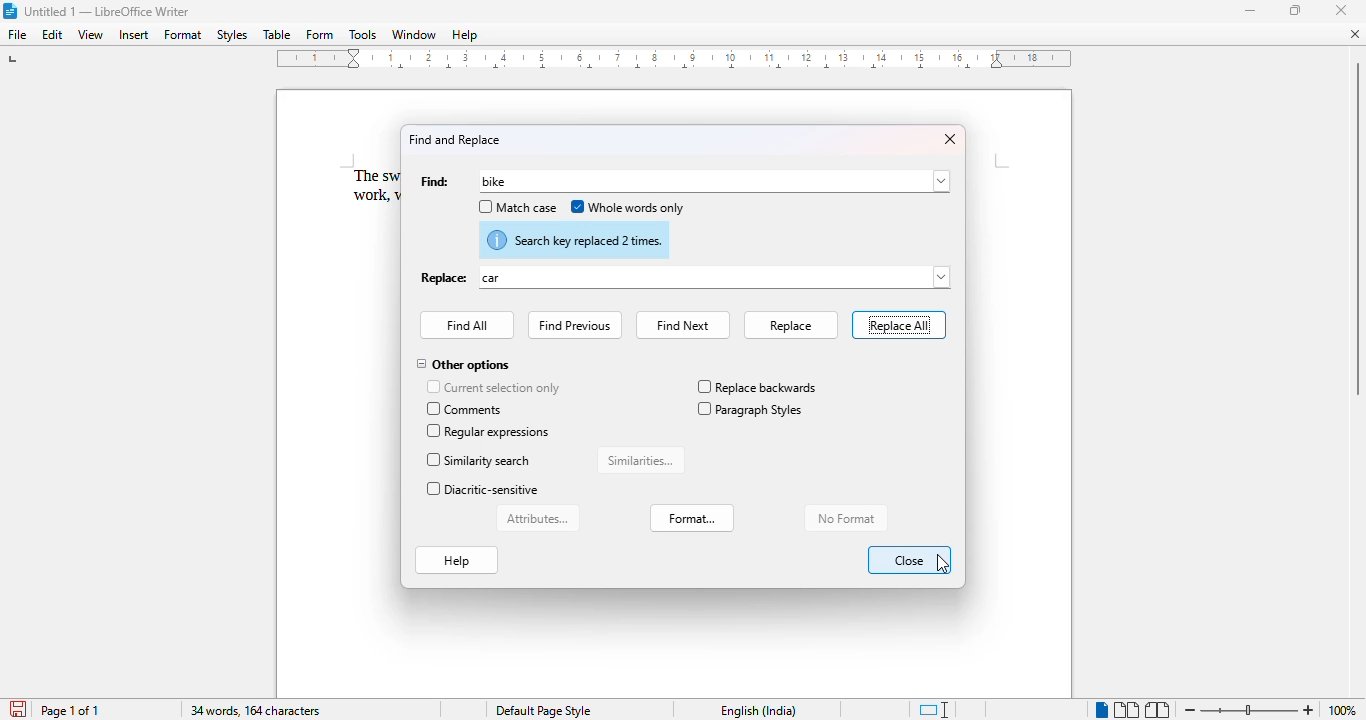 This screenshot has width=1366, height=720. I want to click on cursor, so click(943, 564).